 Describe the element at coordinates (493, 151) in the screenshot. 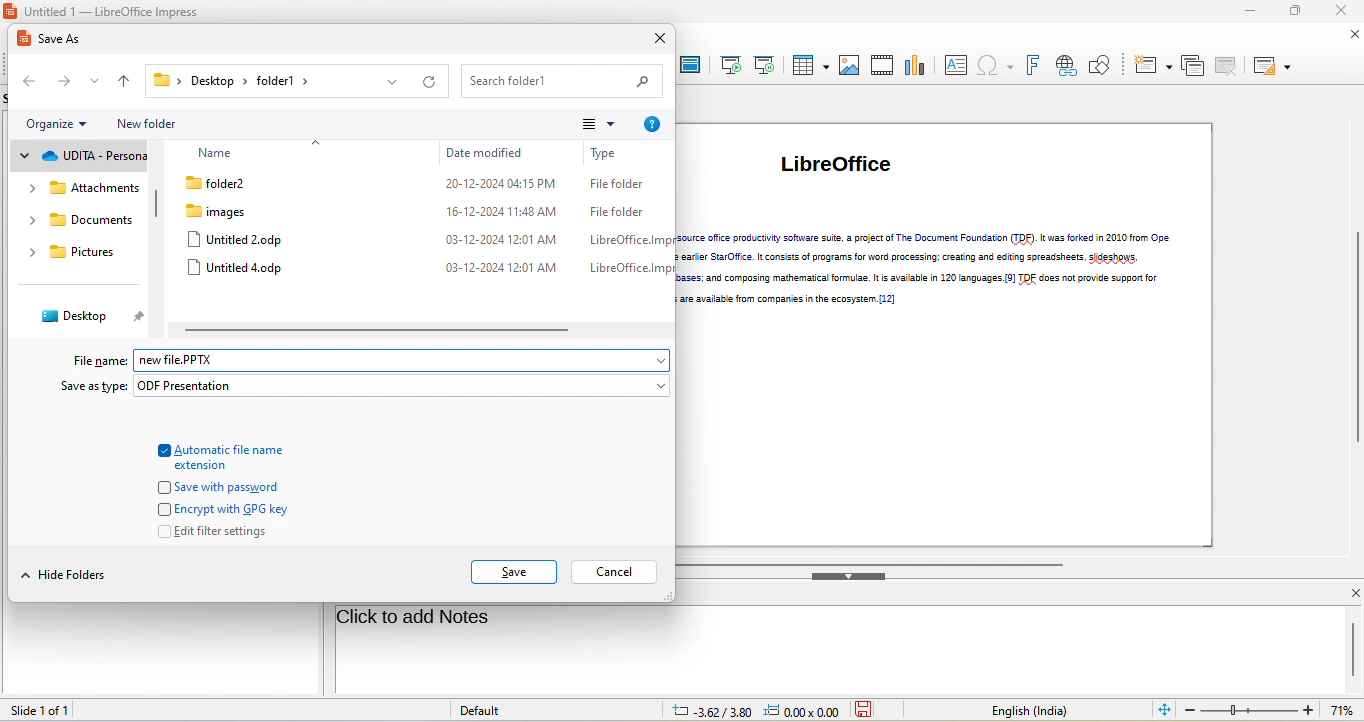

I see `date modified` at that location.